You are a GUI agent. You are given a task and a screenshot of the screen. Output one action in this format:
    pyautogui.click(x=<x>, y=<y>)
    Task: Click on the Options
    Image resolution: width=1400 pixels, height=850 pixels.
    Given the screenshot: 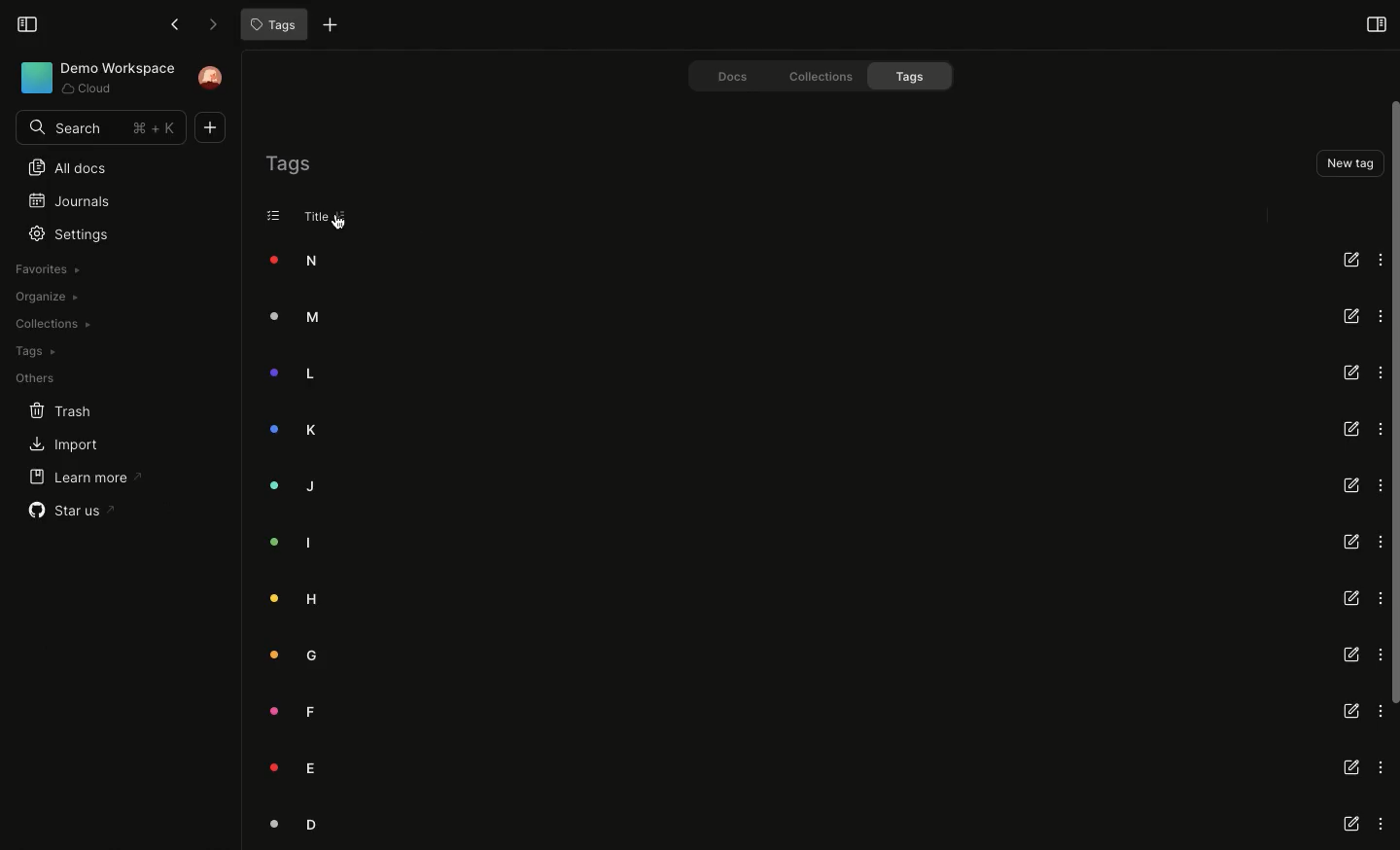 What is the action you would take?
    pyautogui.click(x=1379, y=655)
    